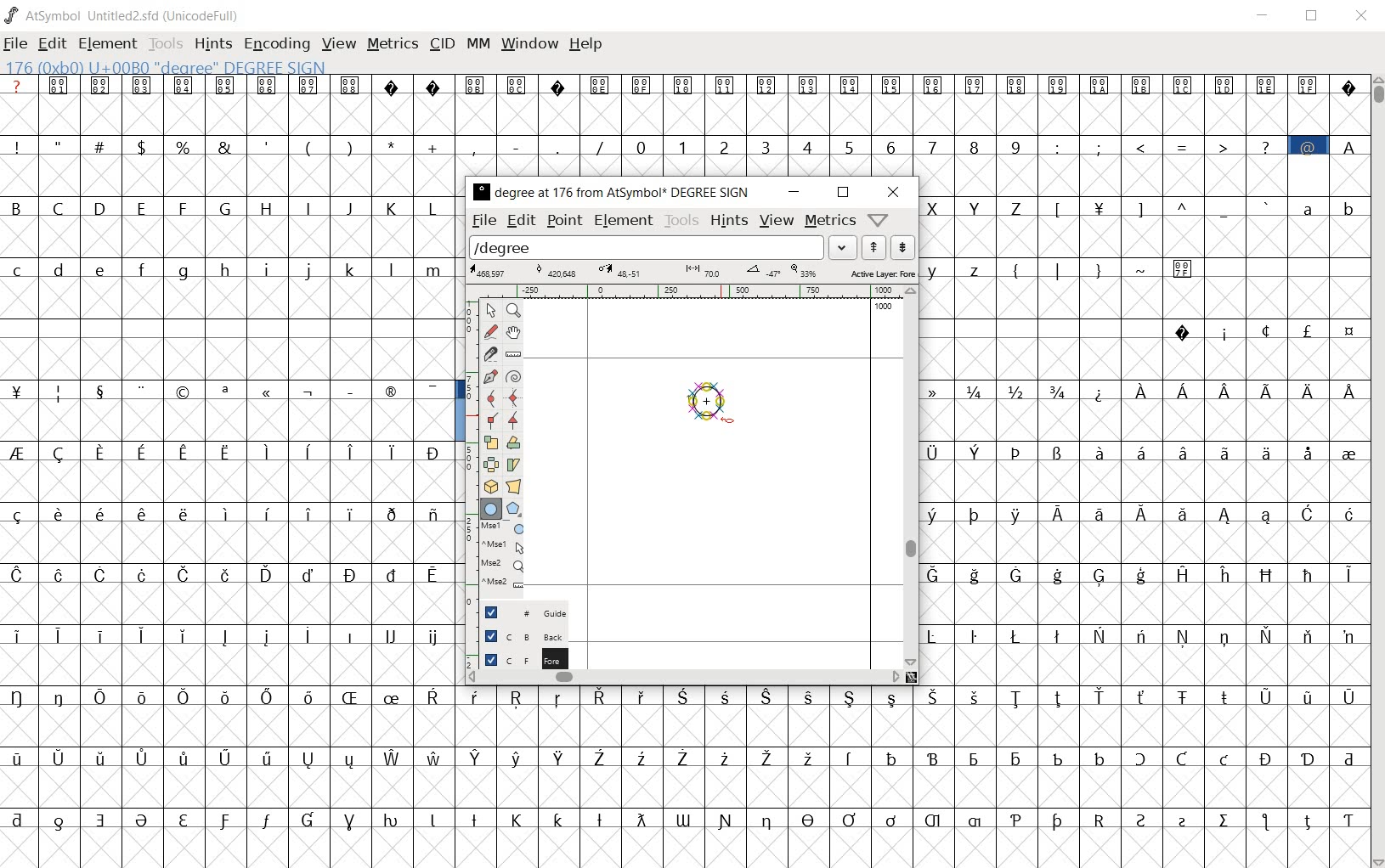  Describe the element at coordinates (1003, 389) in the screenshot. I see `fractions` at that location.